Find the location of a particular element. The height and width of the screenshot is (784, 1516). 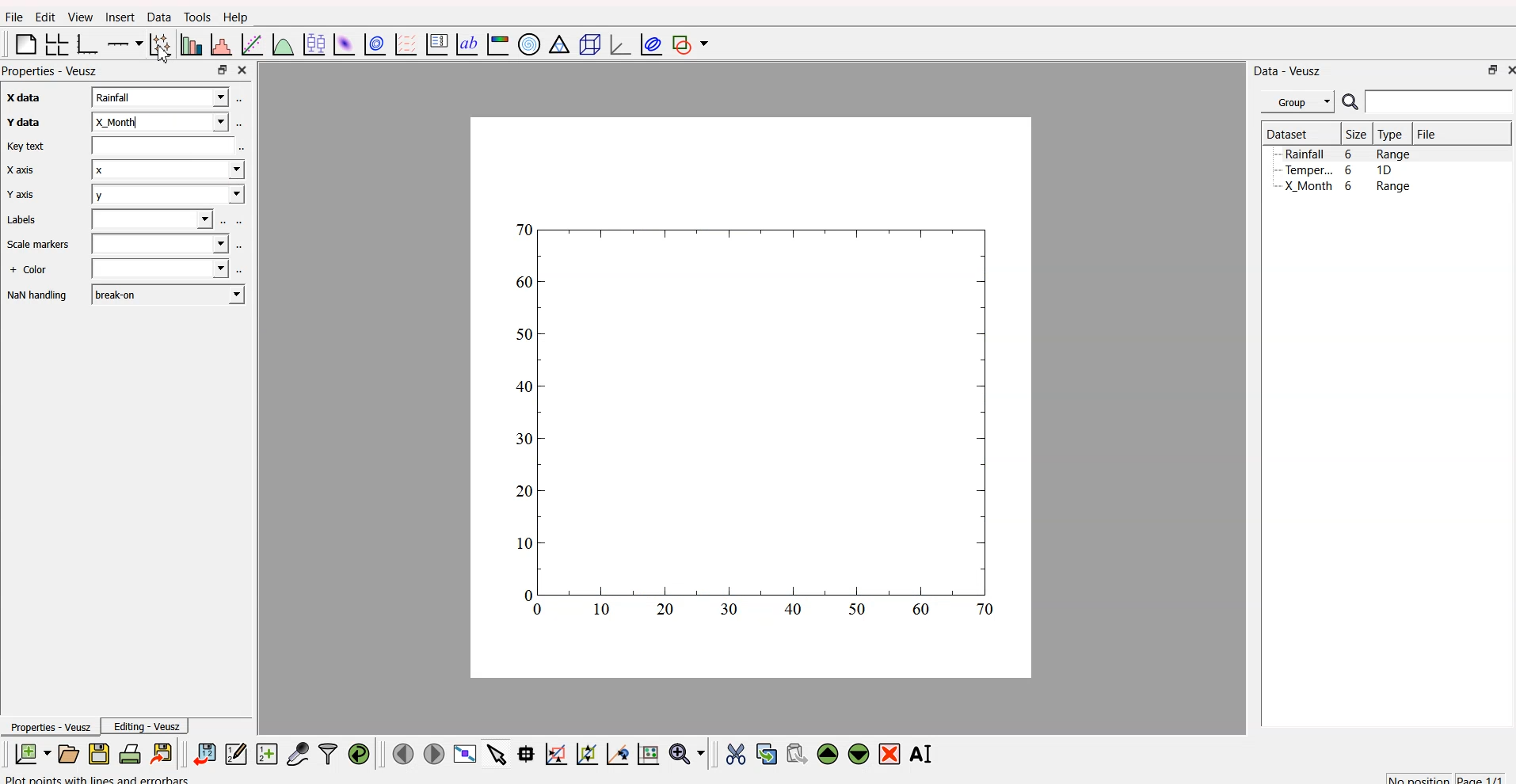

View is located at coordinates (76, 17).